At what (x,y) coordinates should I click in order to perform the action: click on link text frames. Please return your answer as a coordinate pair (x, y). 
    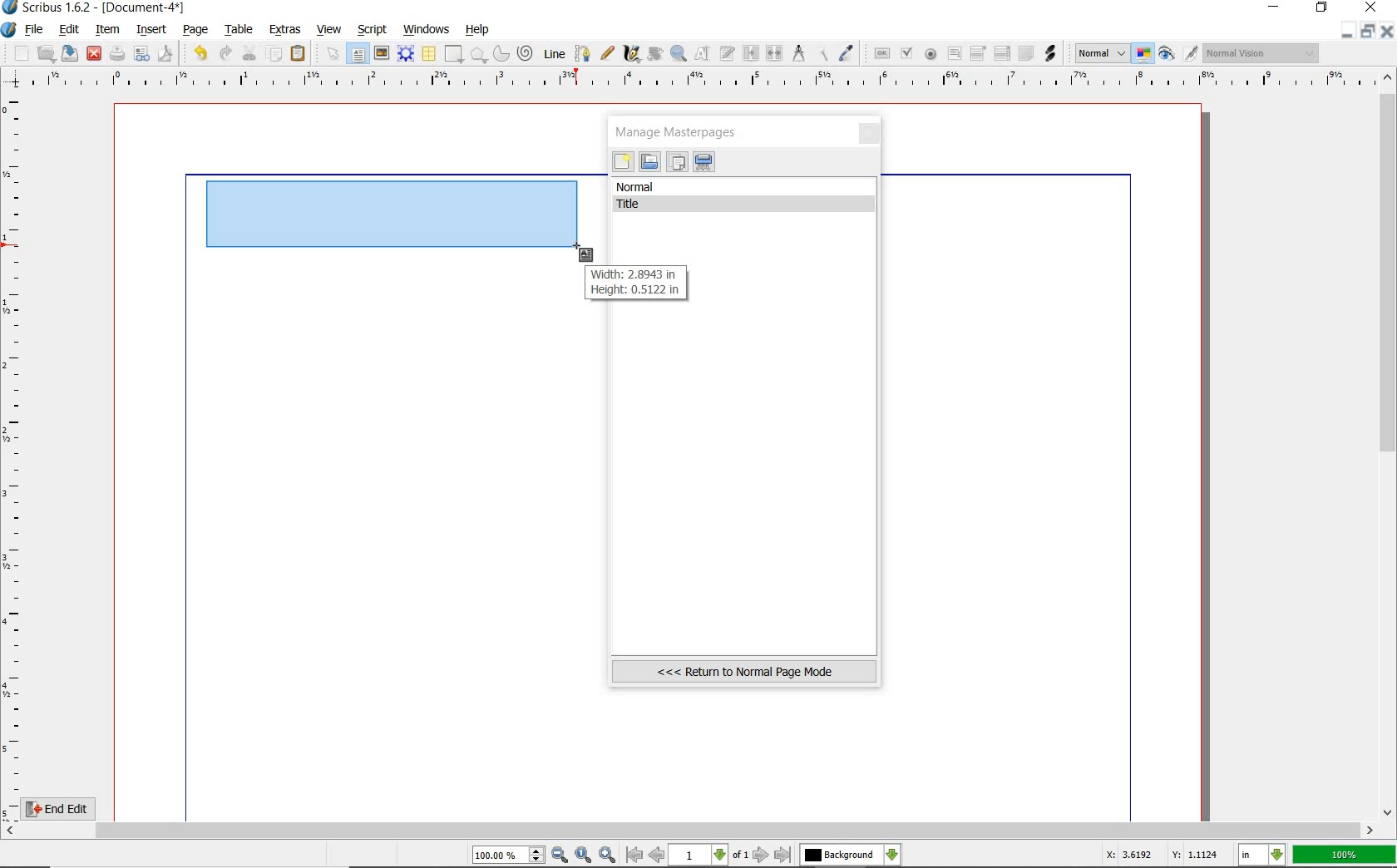
    Looking at the image, I should click on (749, 52).